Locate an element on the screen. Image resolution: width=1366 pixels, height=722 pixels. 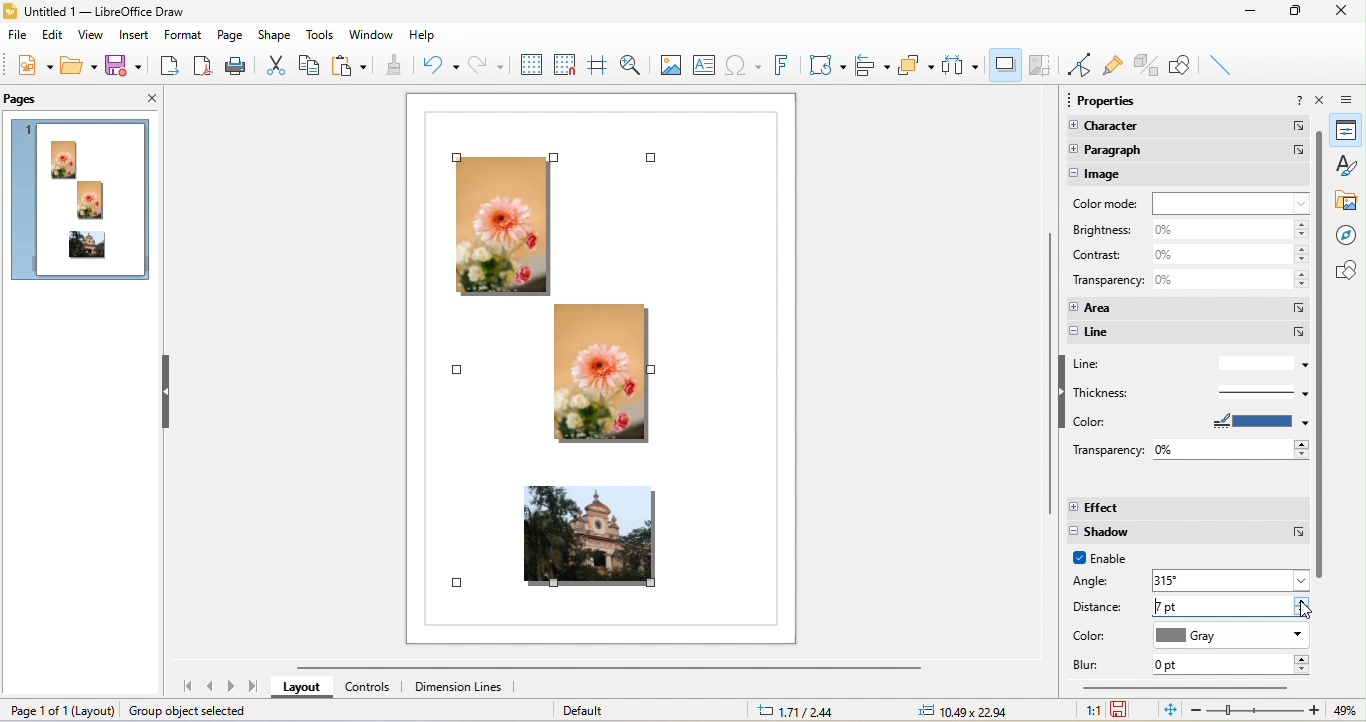
navigator is located at coordinates (1349, 235).